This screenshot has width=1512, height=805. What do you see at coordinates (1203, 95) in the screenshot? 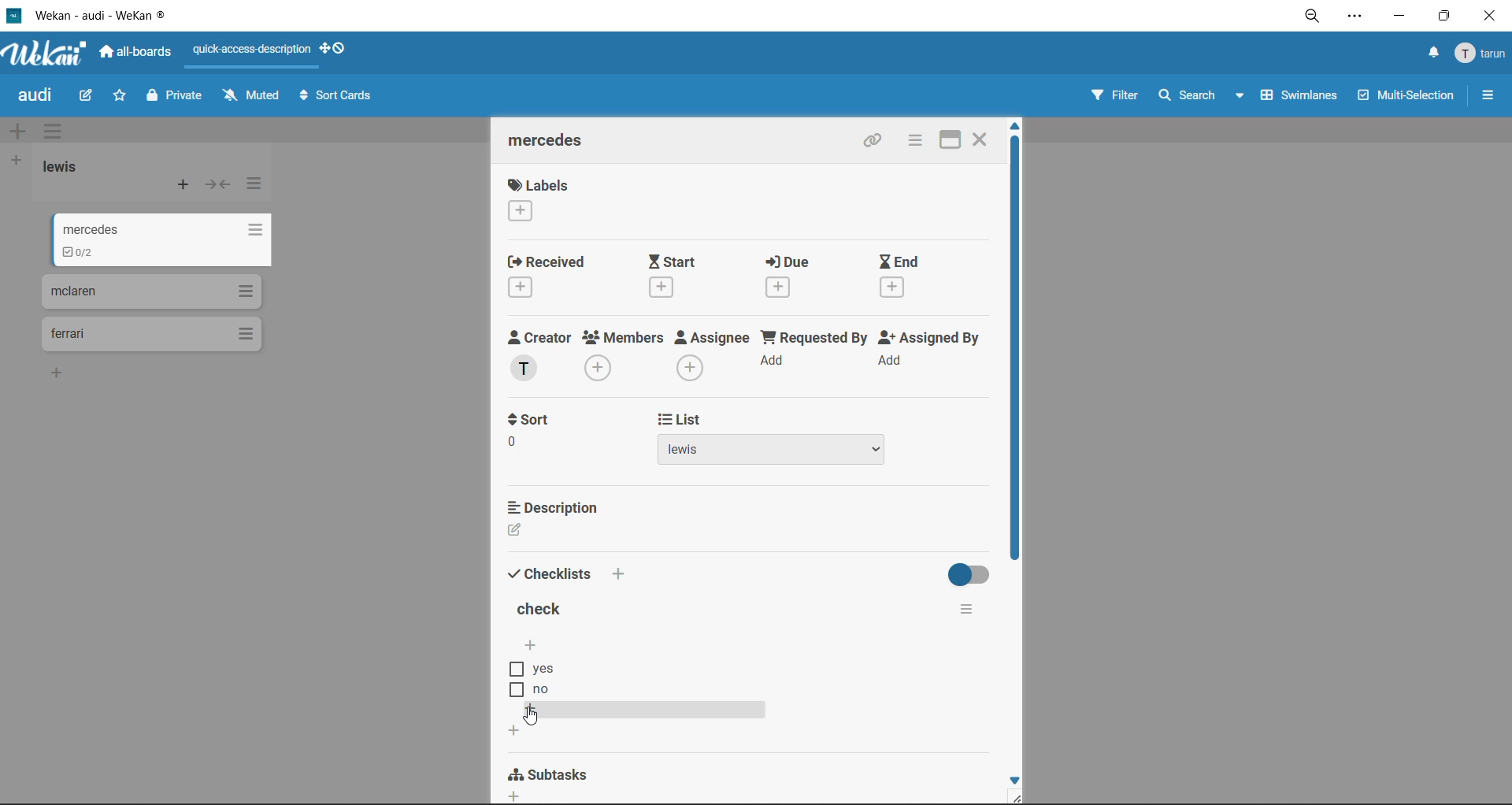
I see `search` at bounding box center [1203, 95].